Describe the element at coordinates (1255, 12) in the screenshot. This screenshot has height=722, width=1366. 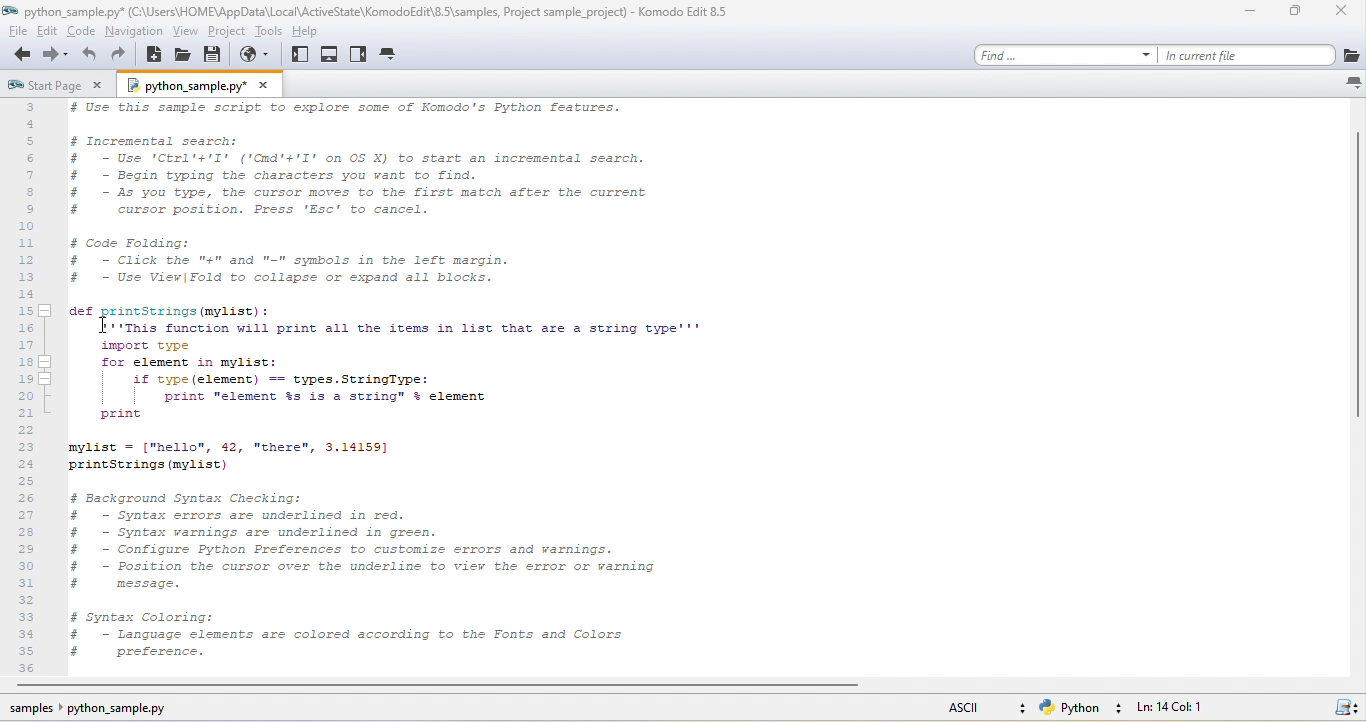
I see `minimize` at that location.